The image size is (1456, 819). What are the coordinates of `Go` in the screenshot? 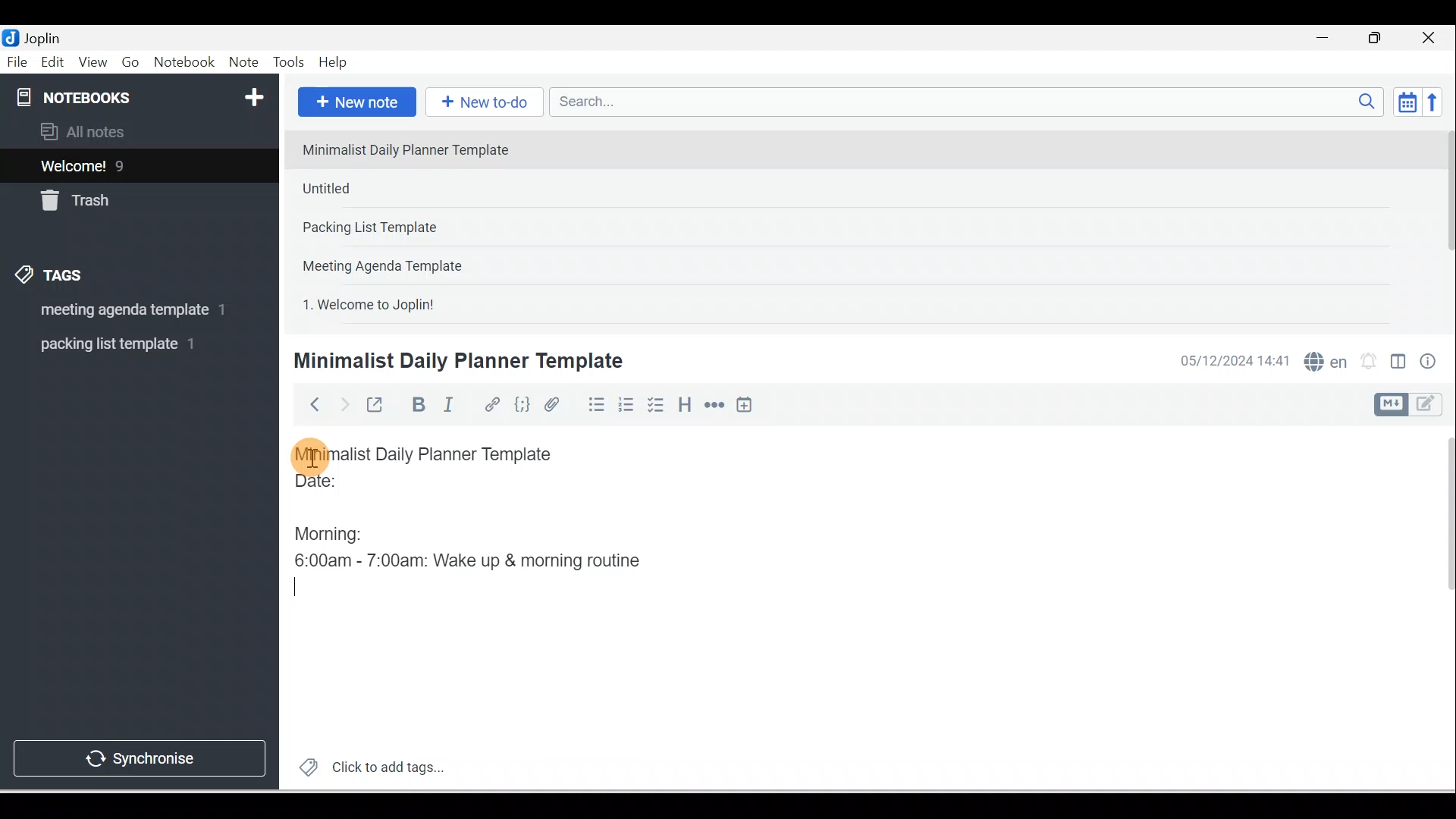 It's located at (133, 63).